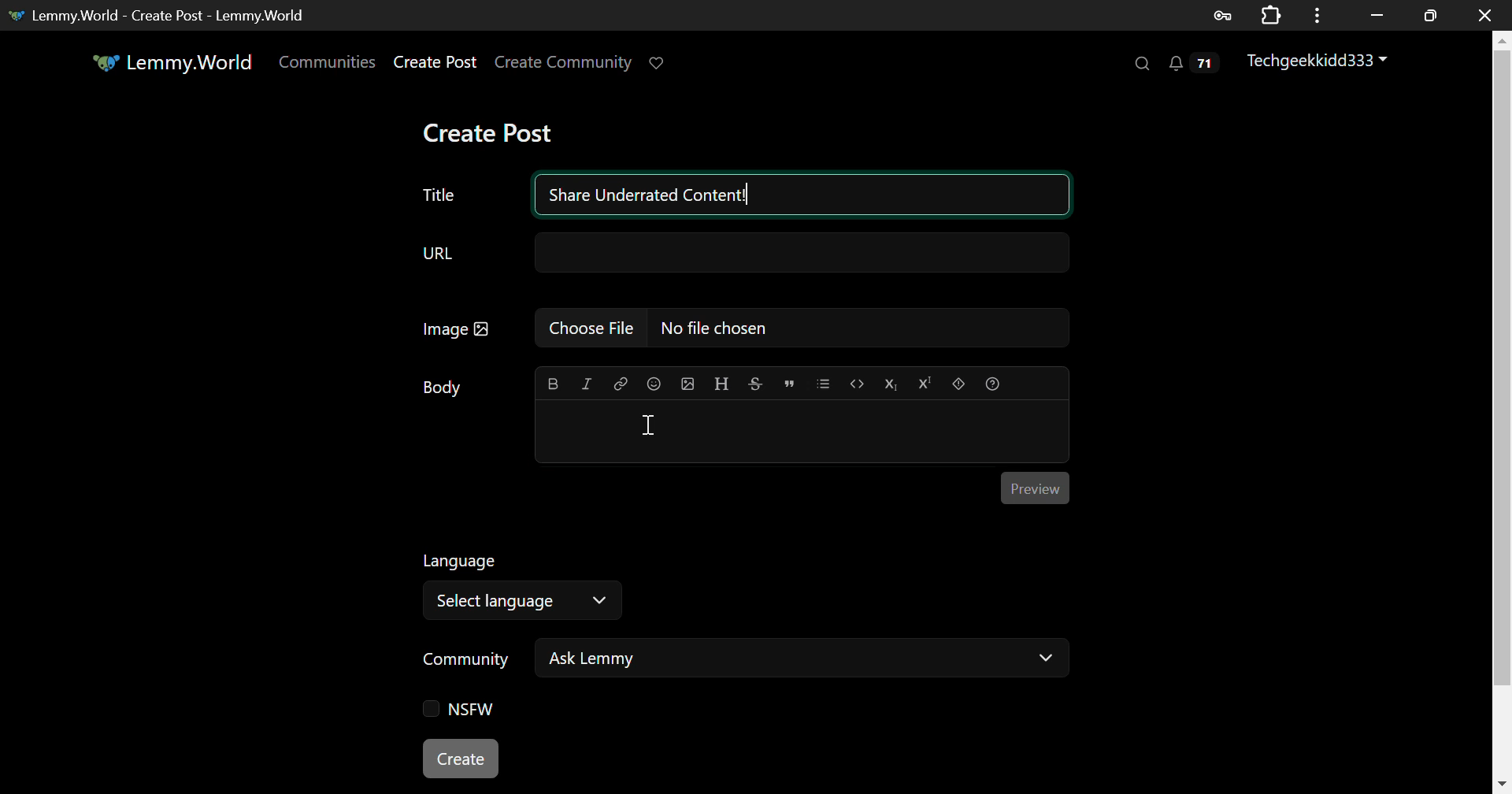 The image size is (1512, 794). Describe the element at coordinates (959, 384) in the screenshot. I see `Spoiler` at that location.